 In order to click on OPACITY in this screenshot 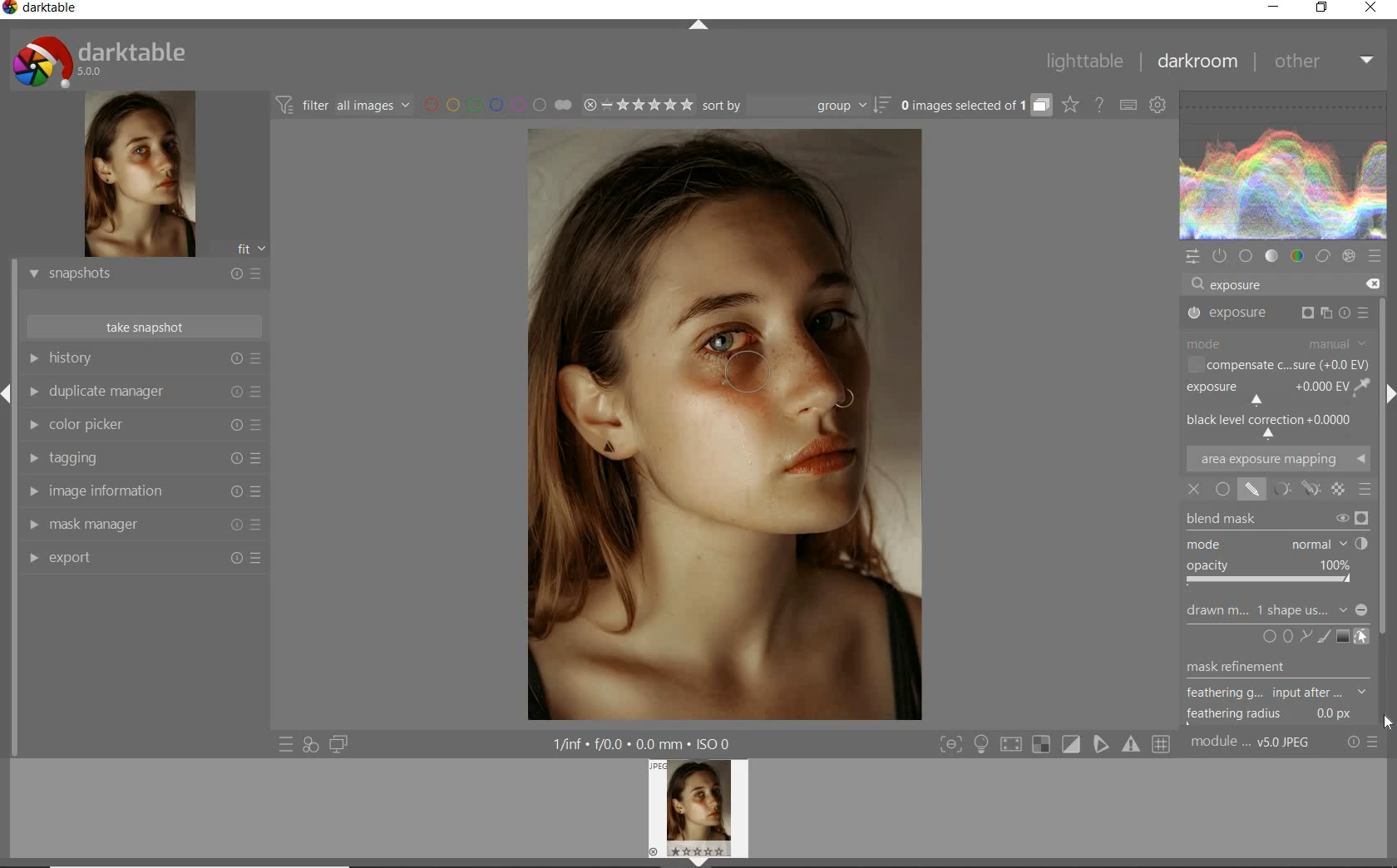, I will do `click(1270, 573)`.